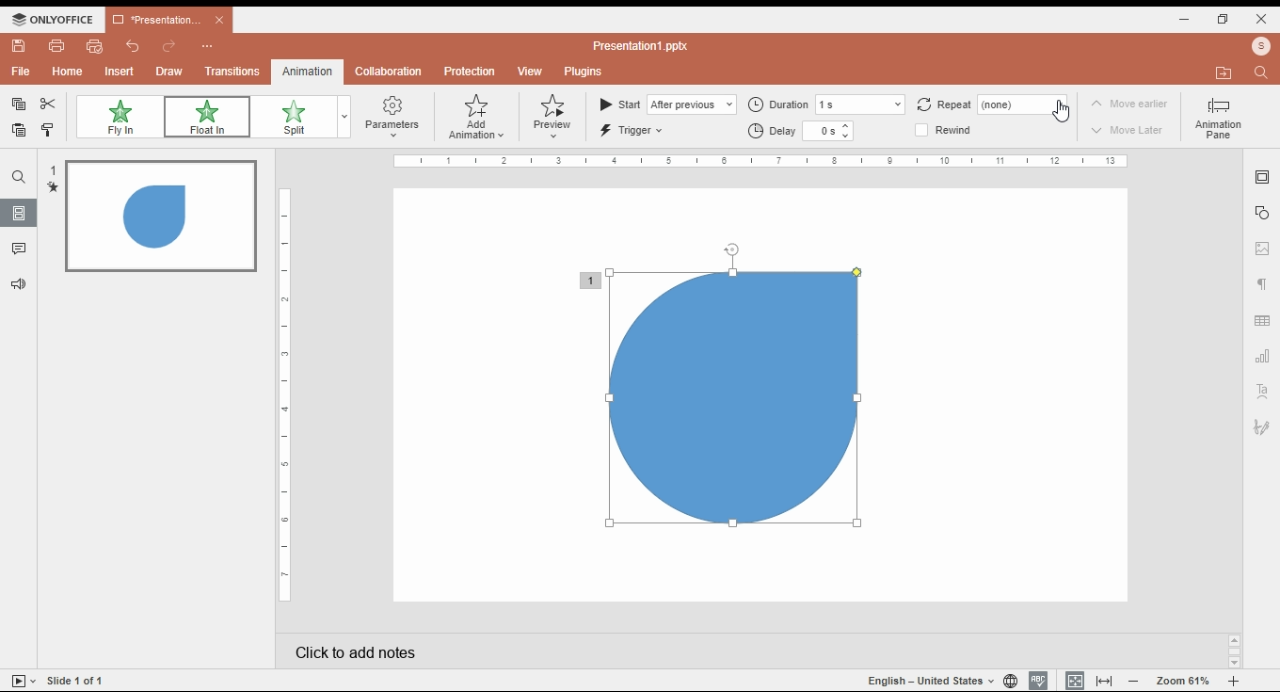  I want to click on find, so click(19, 177).